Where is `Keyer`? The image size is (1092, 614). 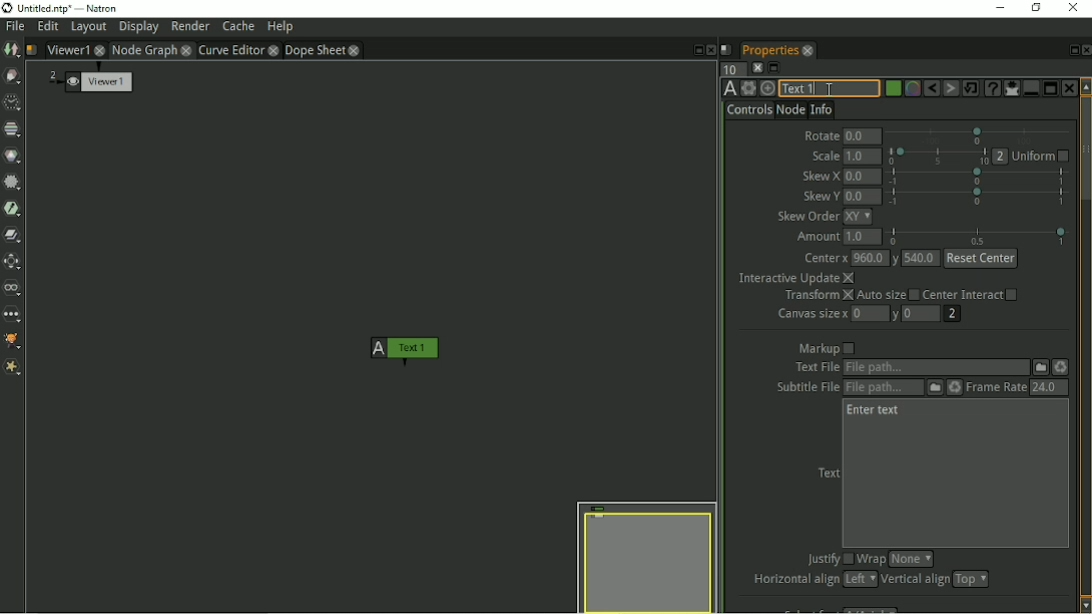
Keyer is located at coordinates (14, 209).